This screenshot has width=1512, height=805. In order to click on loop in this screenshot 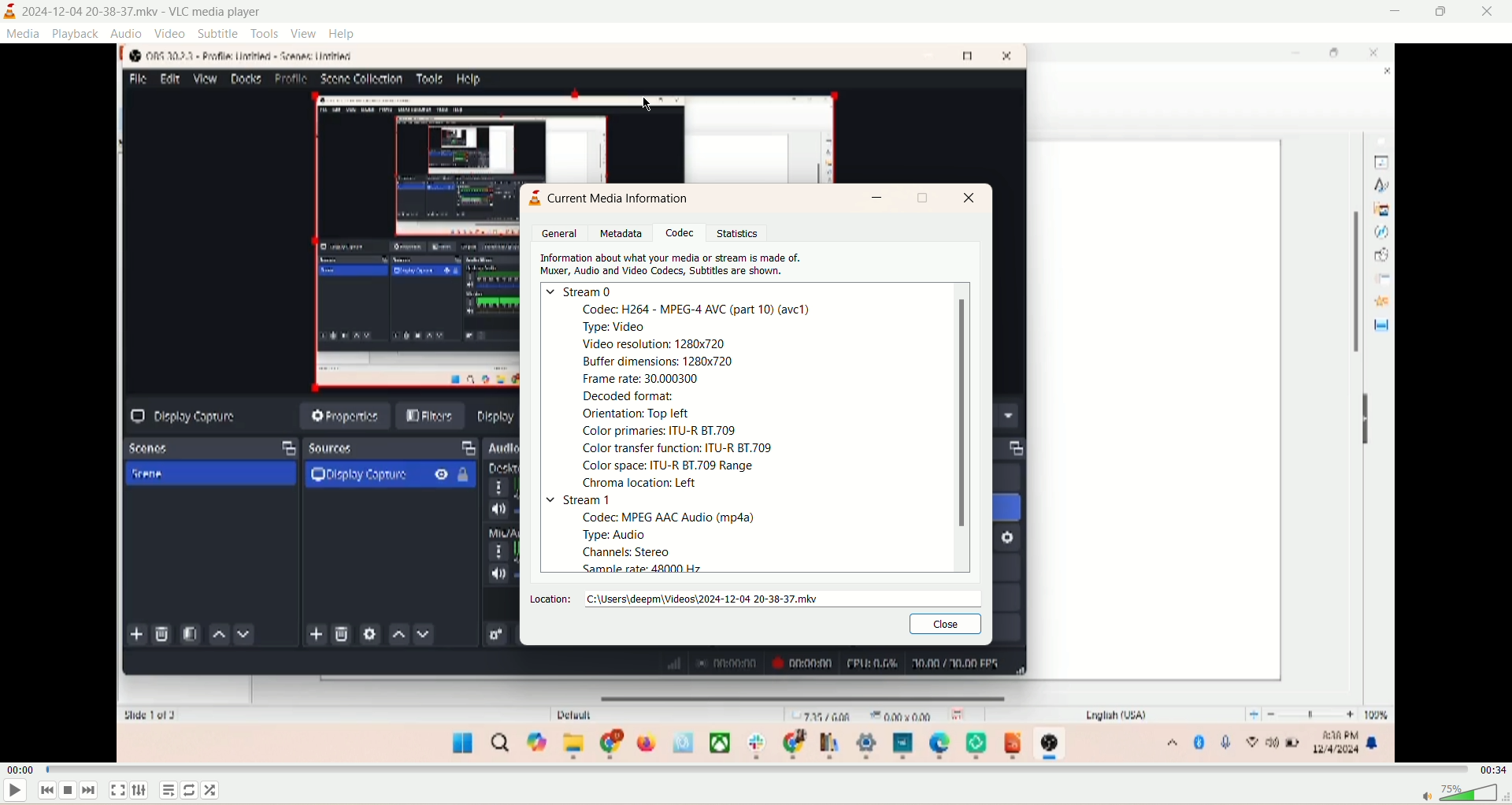, I will do `click(195, 789)`.